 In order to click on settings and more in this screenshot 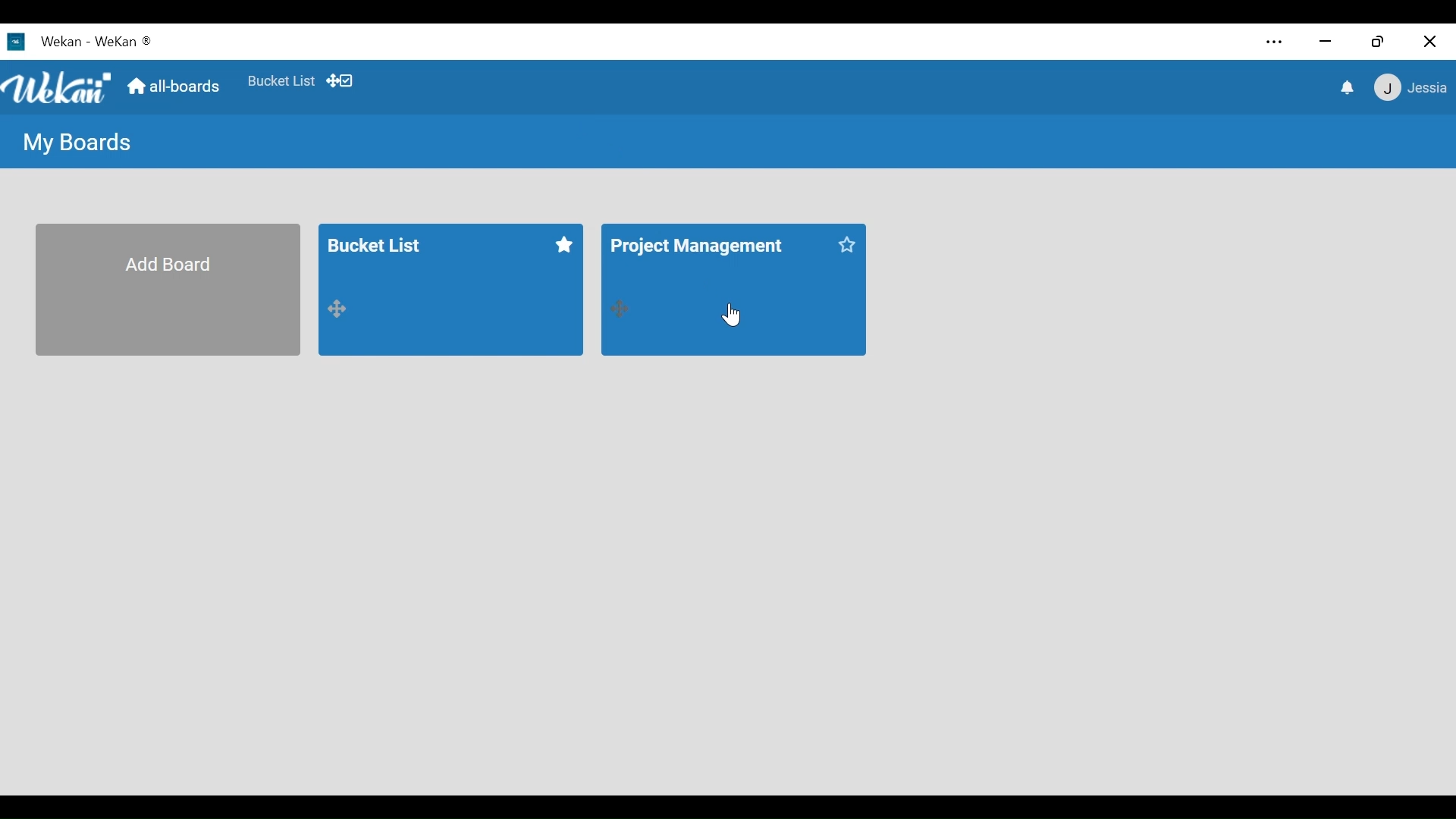, I will do `click(1272, 42)`.